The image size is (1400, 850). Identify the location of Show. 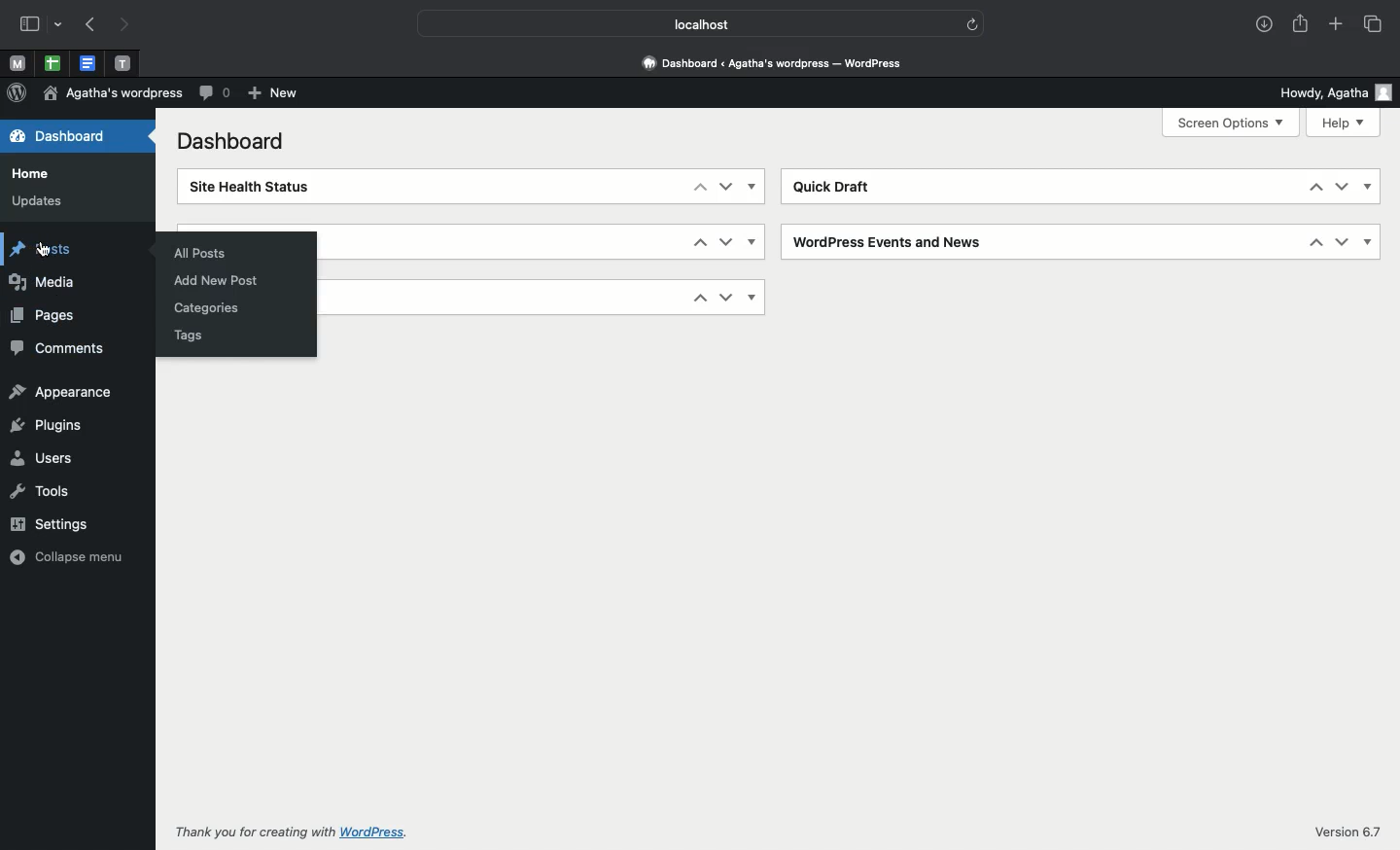
(752, 241).